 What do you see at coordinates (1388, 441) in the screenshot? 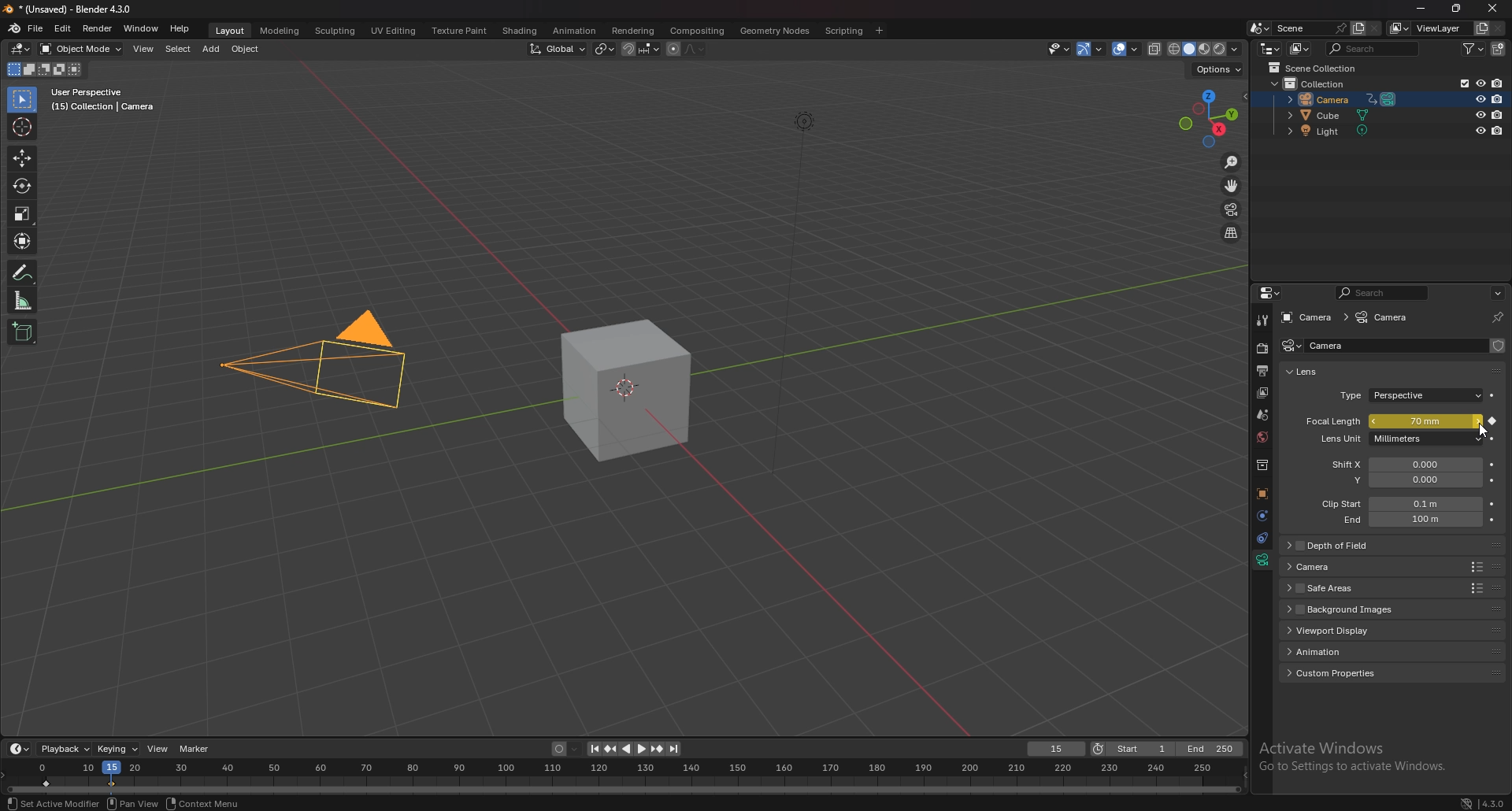
I see `Less Unit` at bounding box center [1388, 441].